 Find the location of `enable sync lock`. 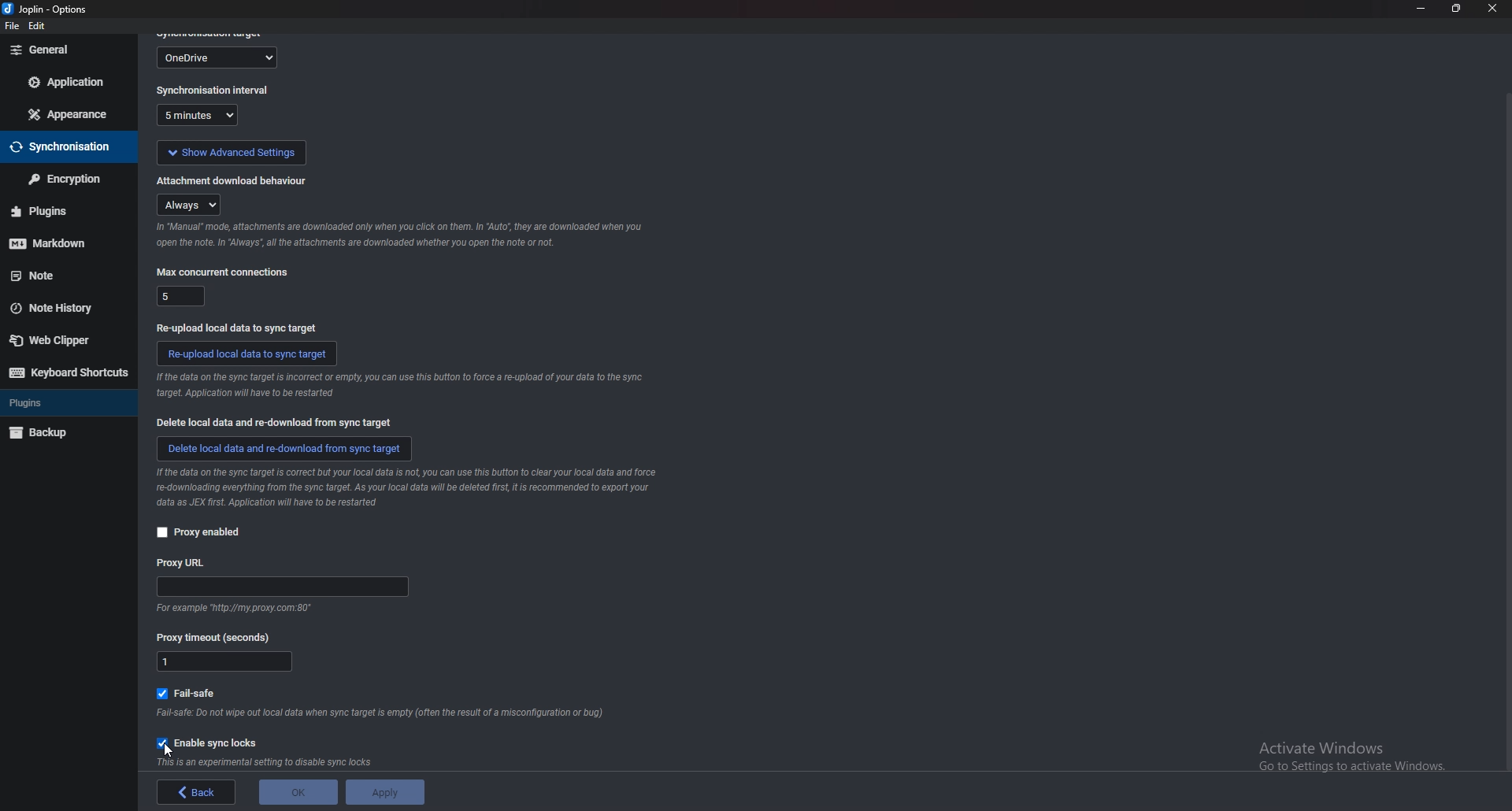

enable sync lock is located at coordinates (213, 741).